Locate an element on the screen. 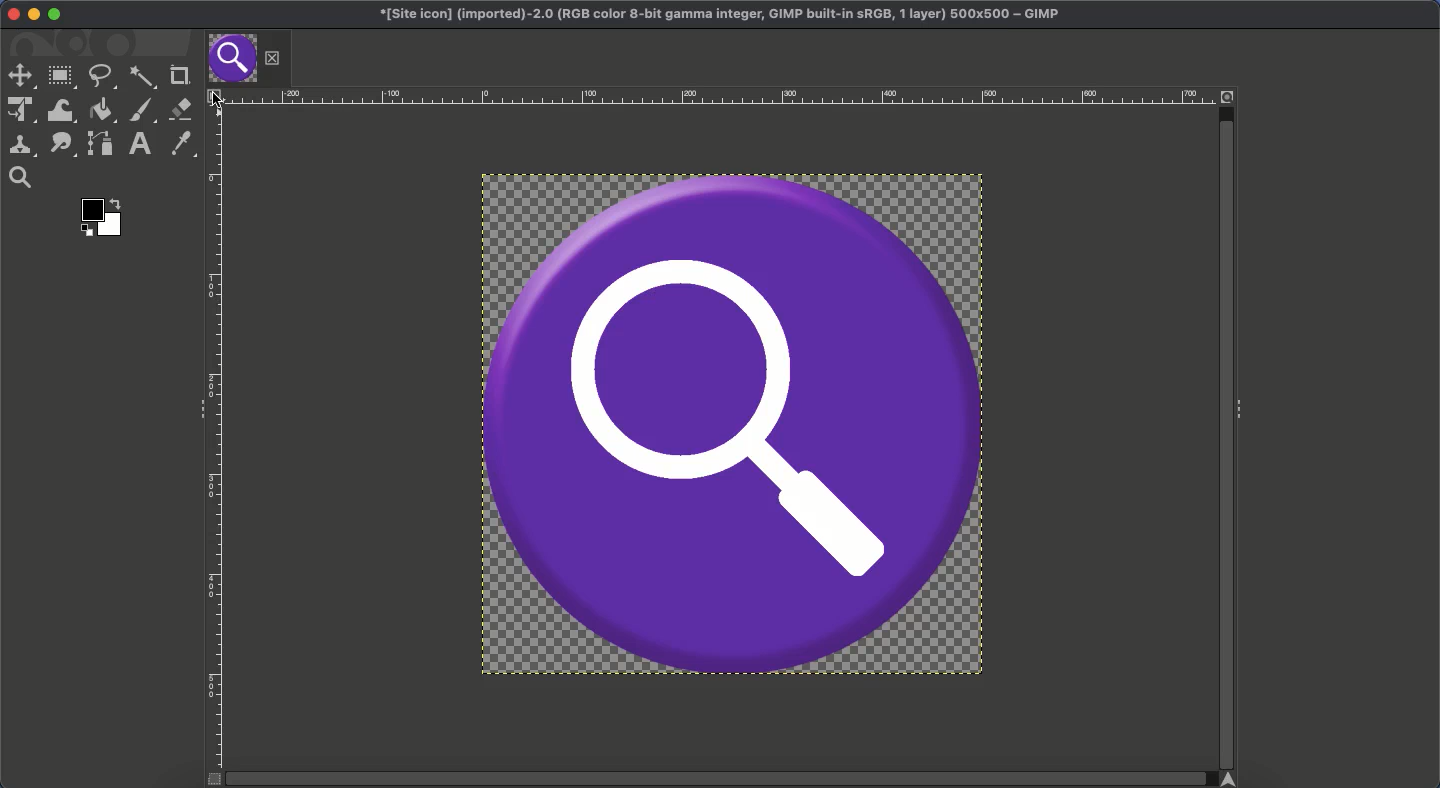 The image size is (1440, 788). Paint is located at coordinates (142, 111).